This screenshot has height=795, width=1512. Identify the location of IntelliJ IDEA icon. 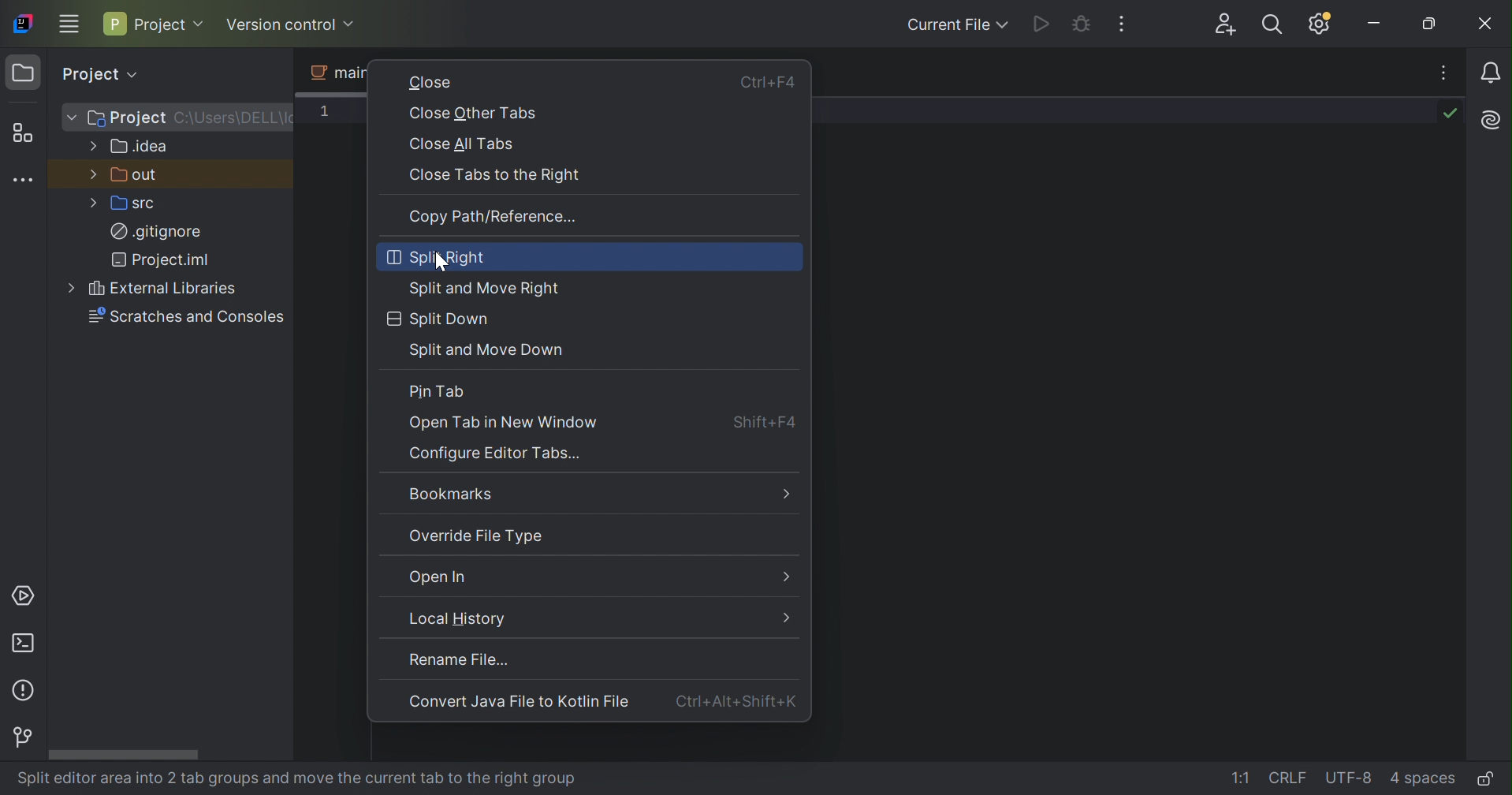
(23, 22).